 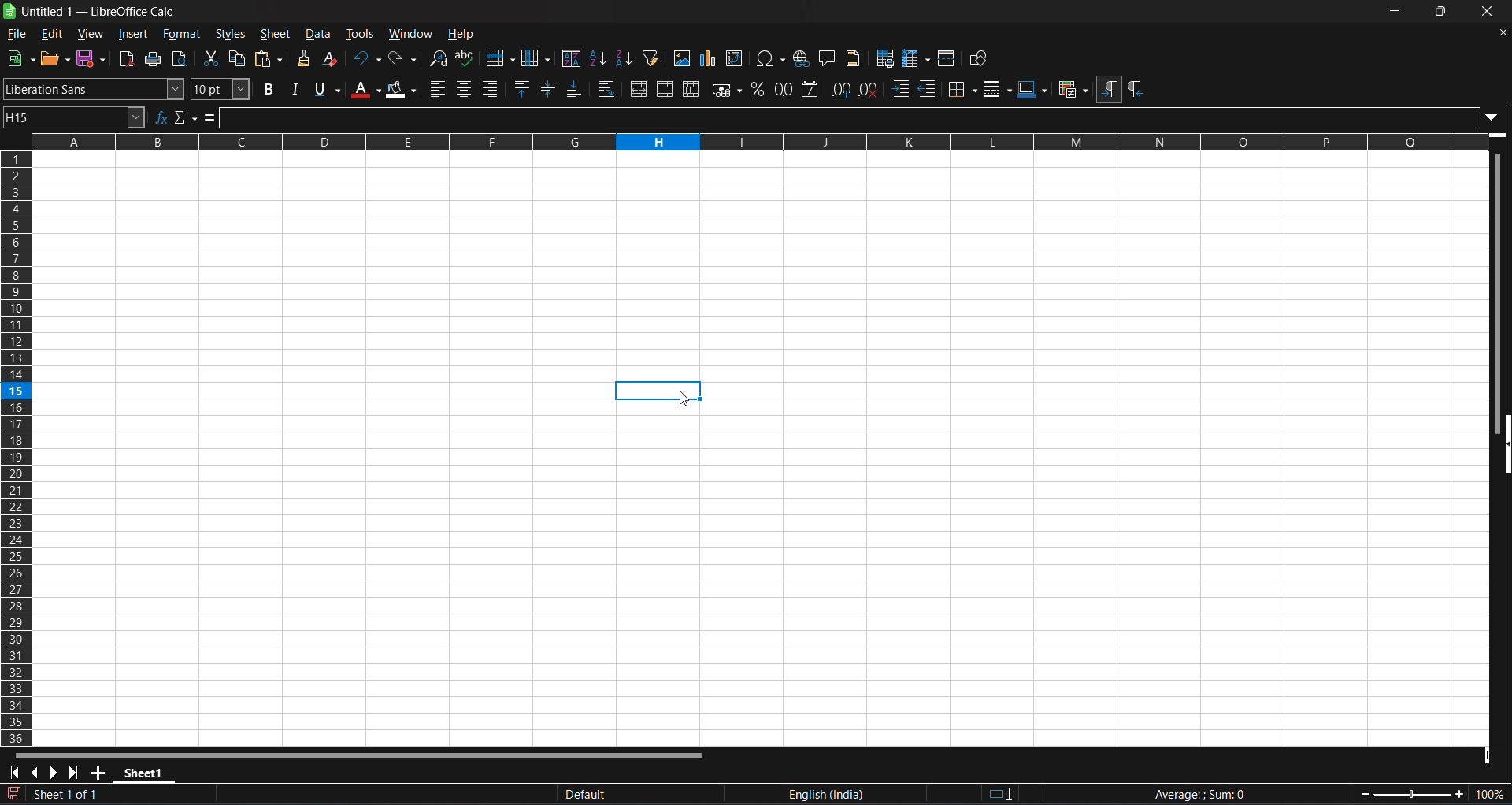 What do you see at coordinates (55, 57) in the screenshot?
I see `open` at bounding box center [55, 57].